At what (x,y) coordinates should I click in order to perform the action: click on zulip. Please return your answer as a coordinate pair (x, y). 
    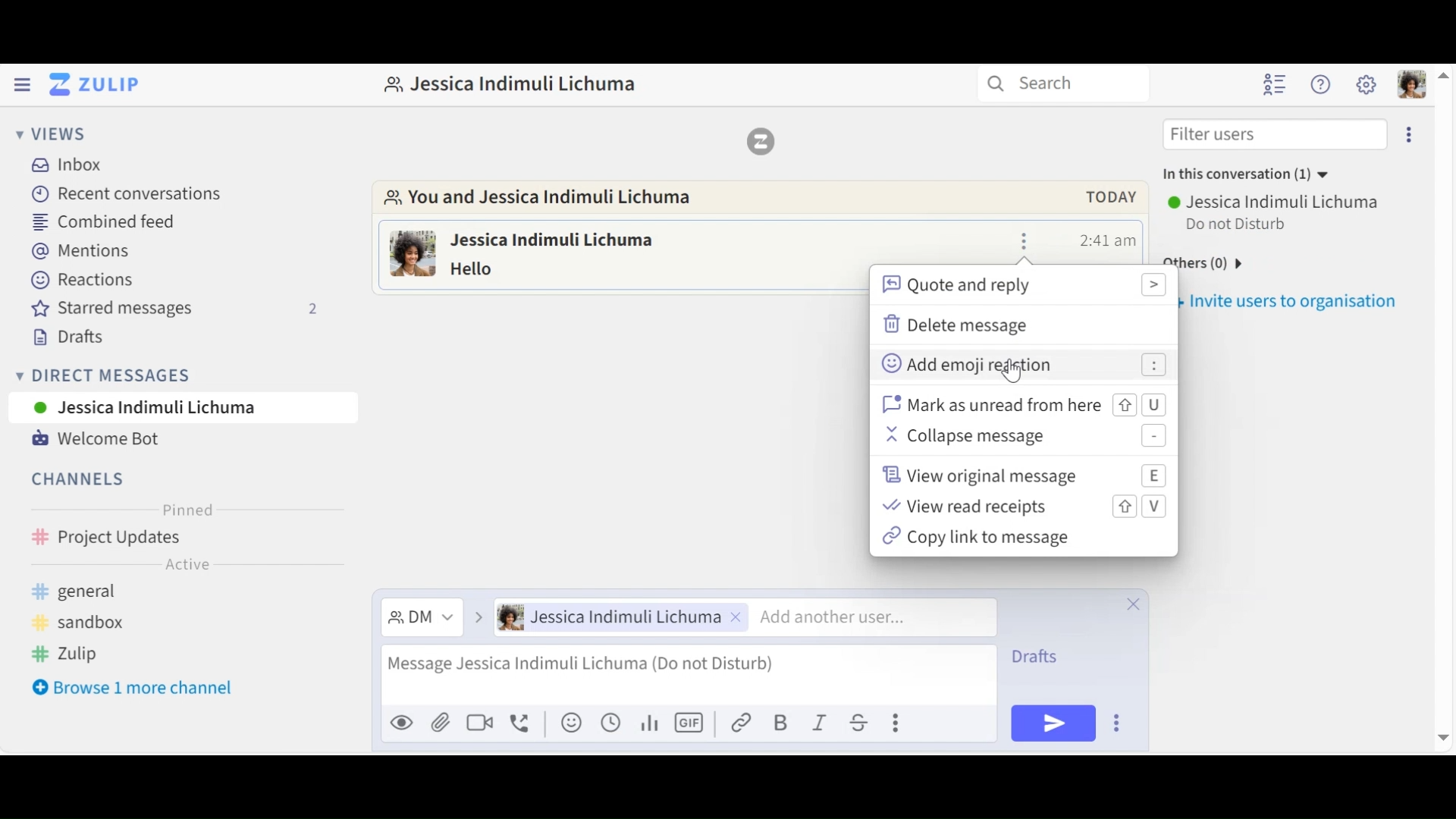
    Looking at the image, I should click on (74, 655).